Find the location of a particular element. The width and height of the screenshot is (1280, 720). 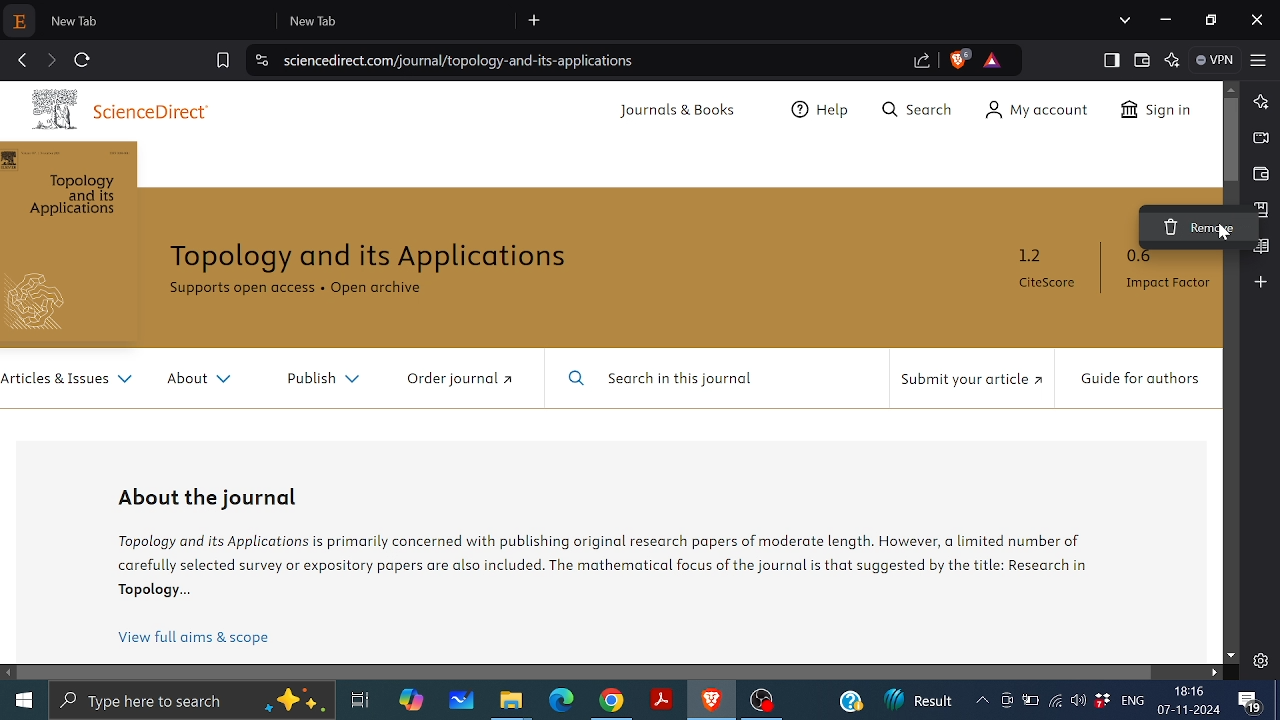

Meet now is located at coordinates (1006, 704).